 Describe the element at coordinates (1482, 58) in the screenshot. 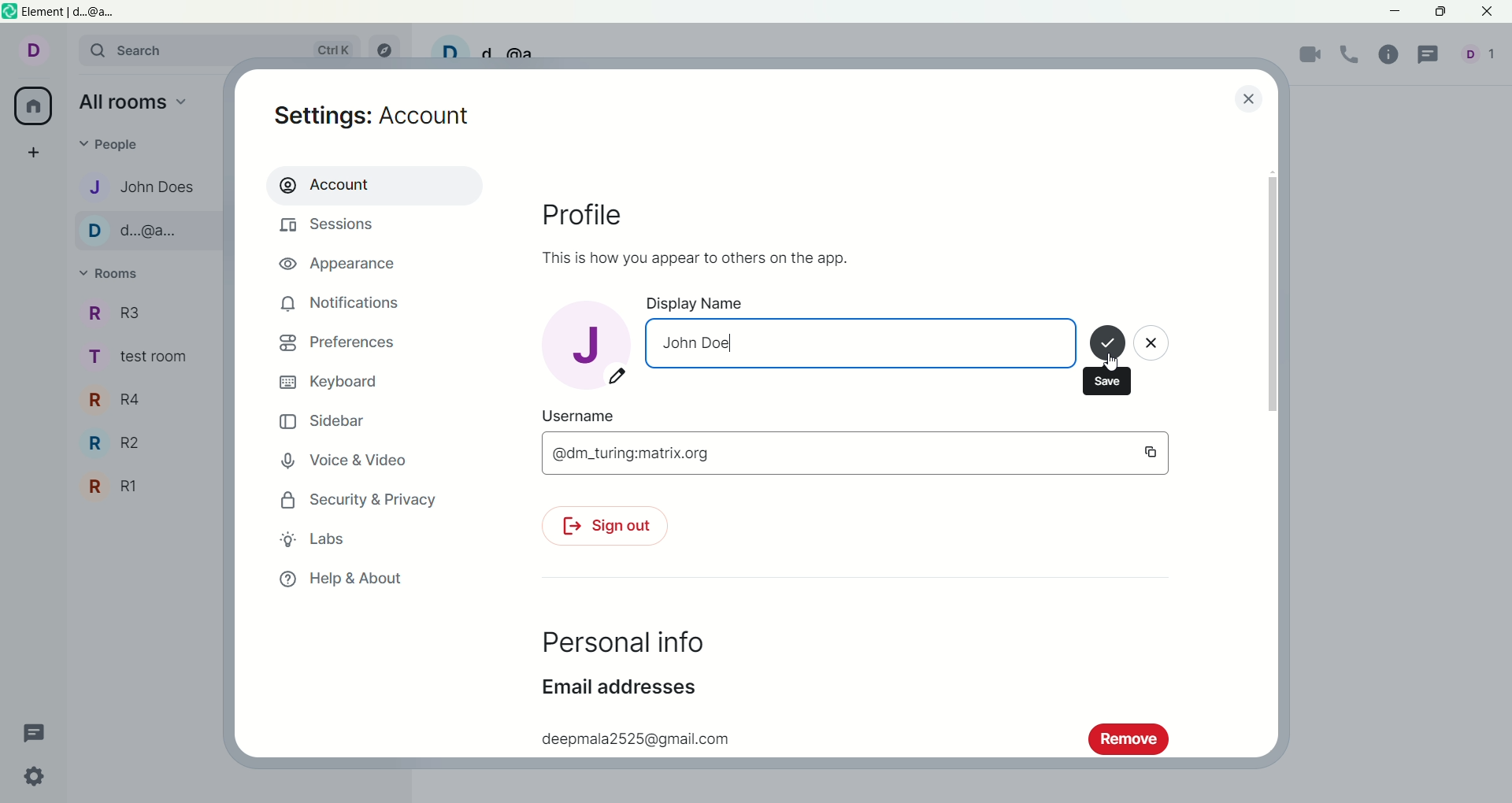

I see `people` at that location.